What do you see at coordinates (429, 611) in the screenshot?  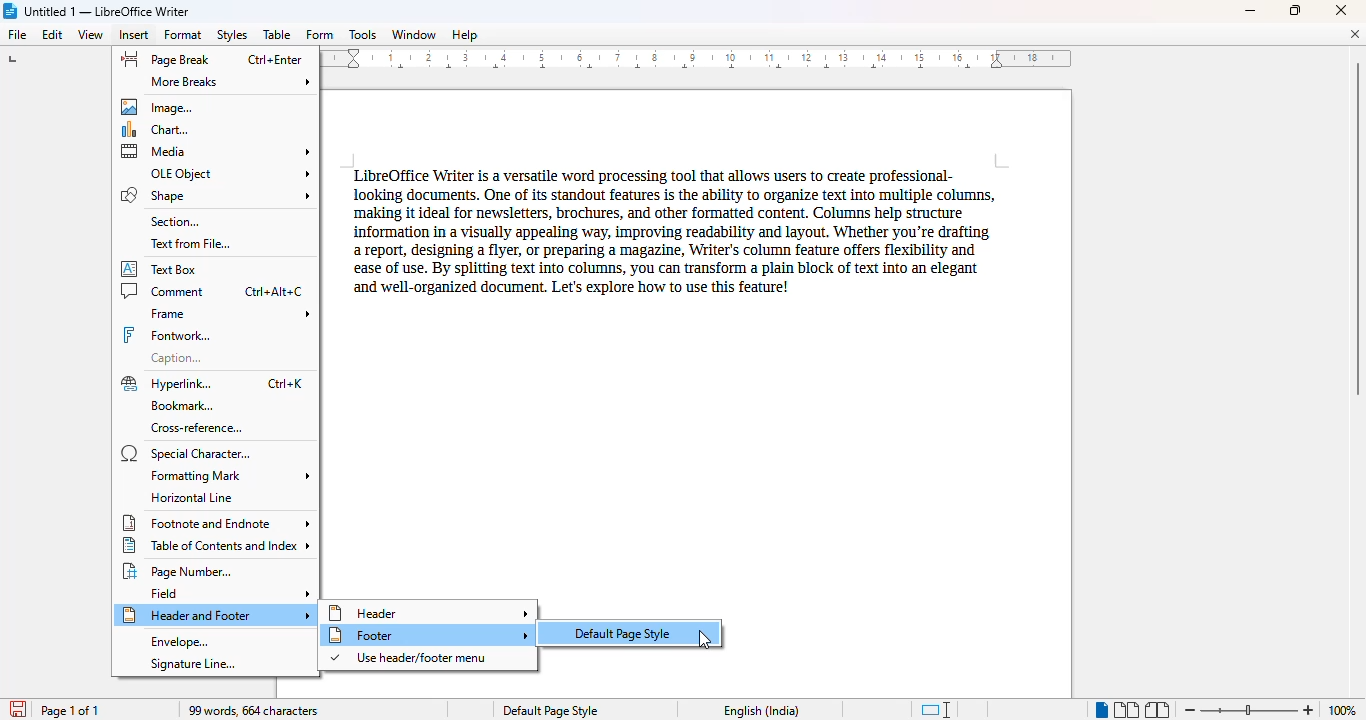 I see `header` at bounding box center [429, 611].